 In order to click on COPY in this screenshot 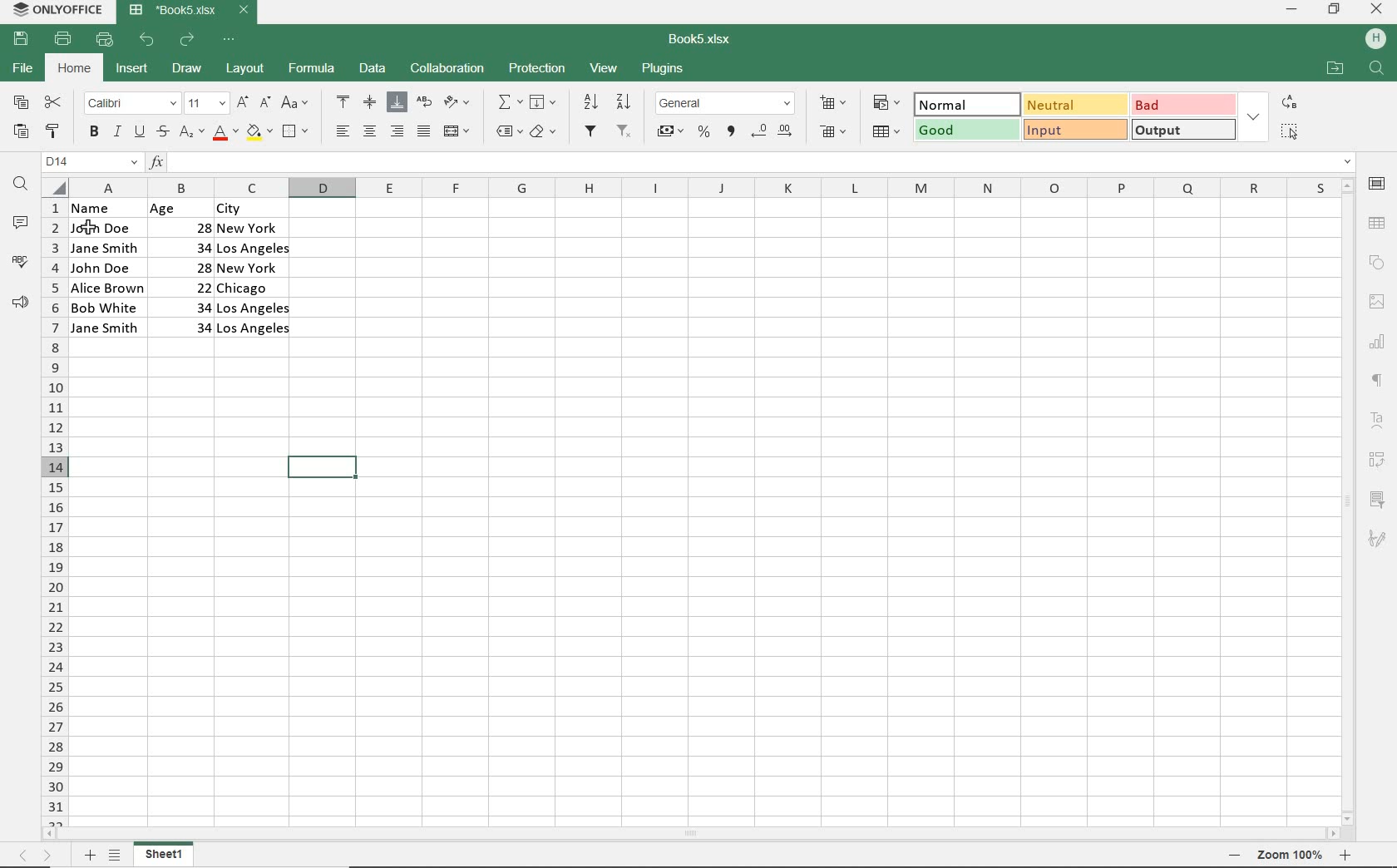, I will do `click(22, 103)`.